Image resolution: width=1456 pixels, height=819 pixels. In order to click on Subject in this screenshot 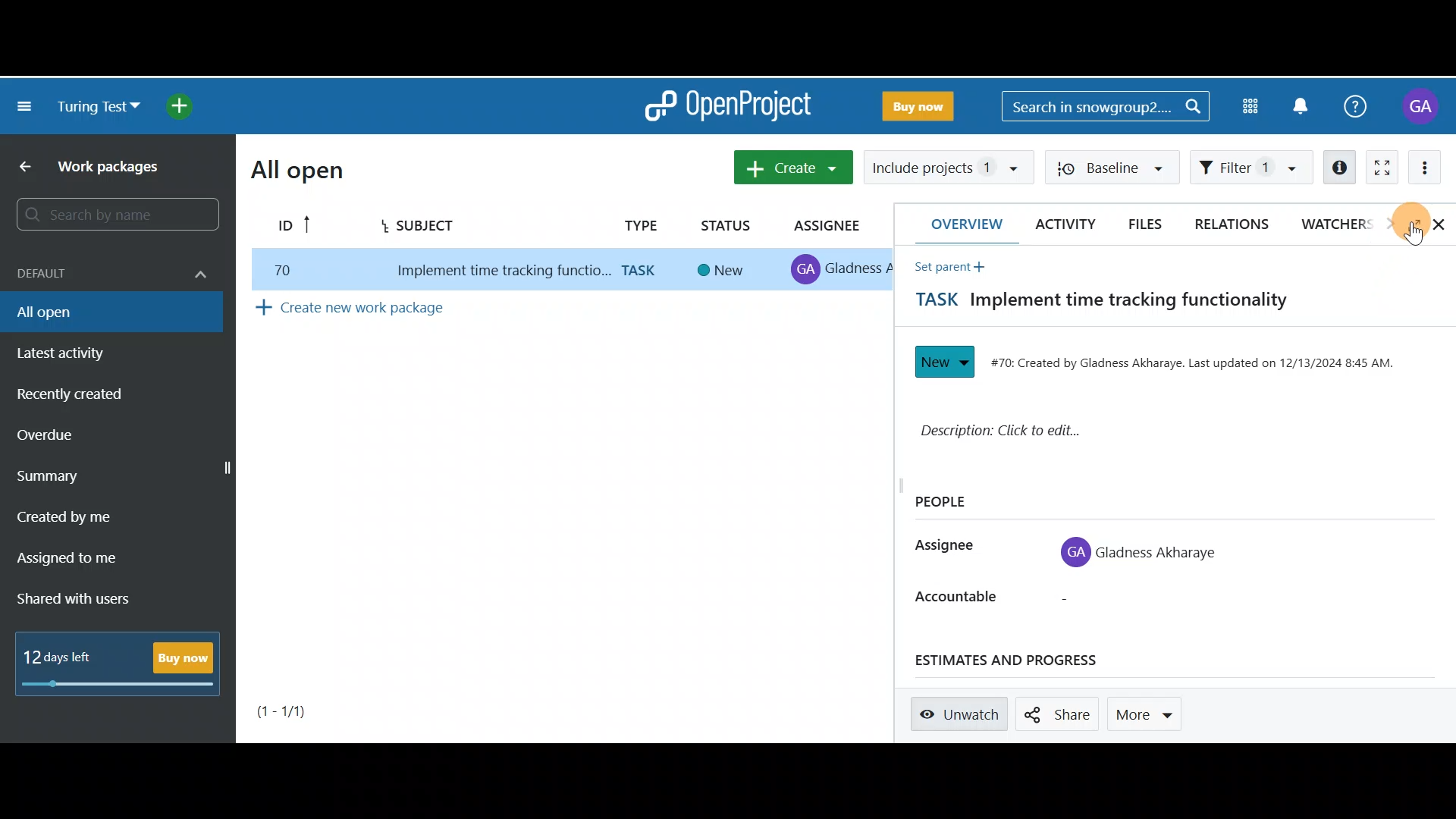, I will do `click(447, 229)`.